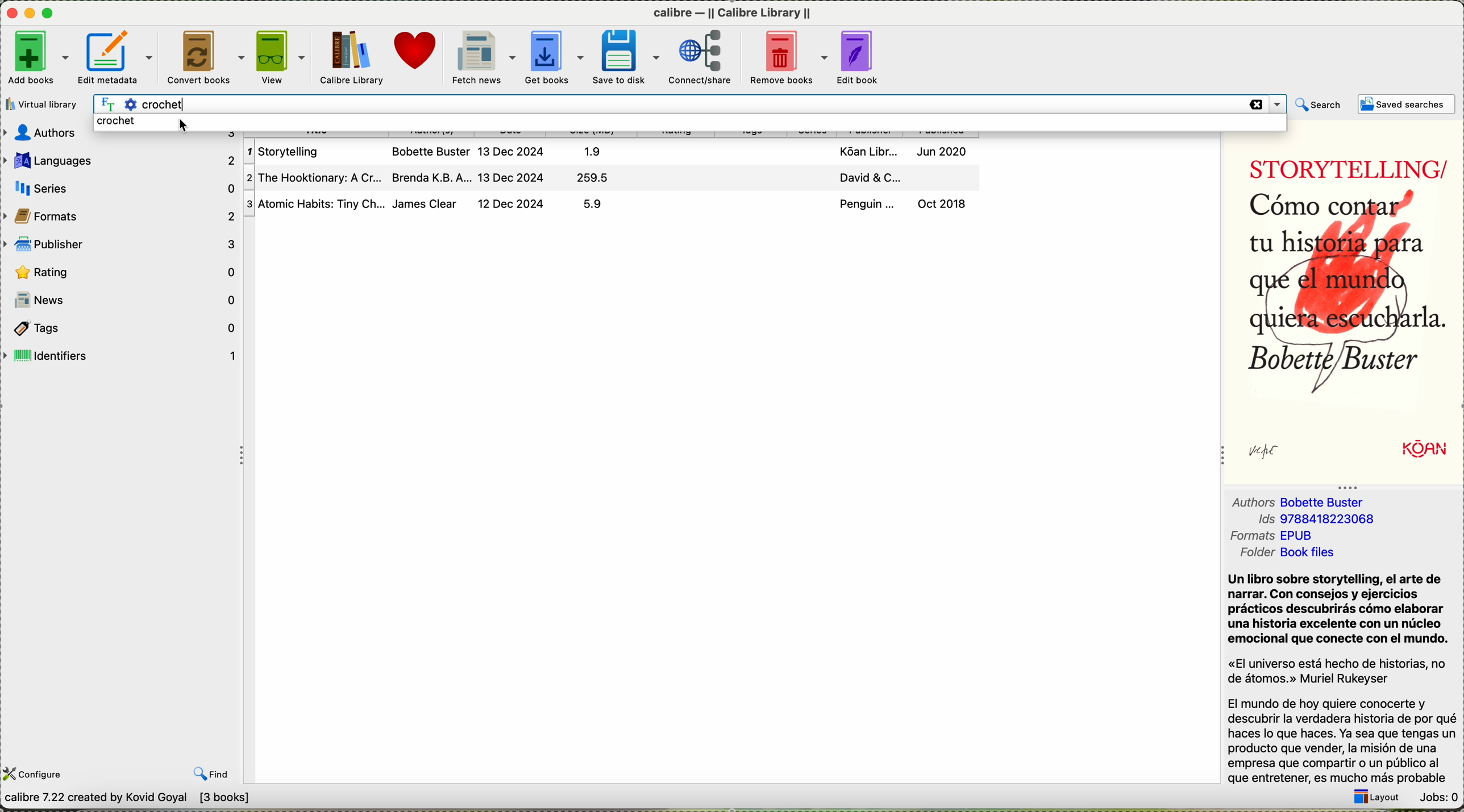  Describe the element at coordinates (1249, 503) in the screenshot. I see `authors` at that location.